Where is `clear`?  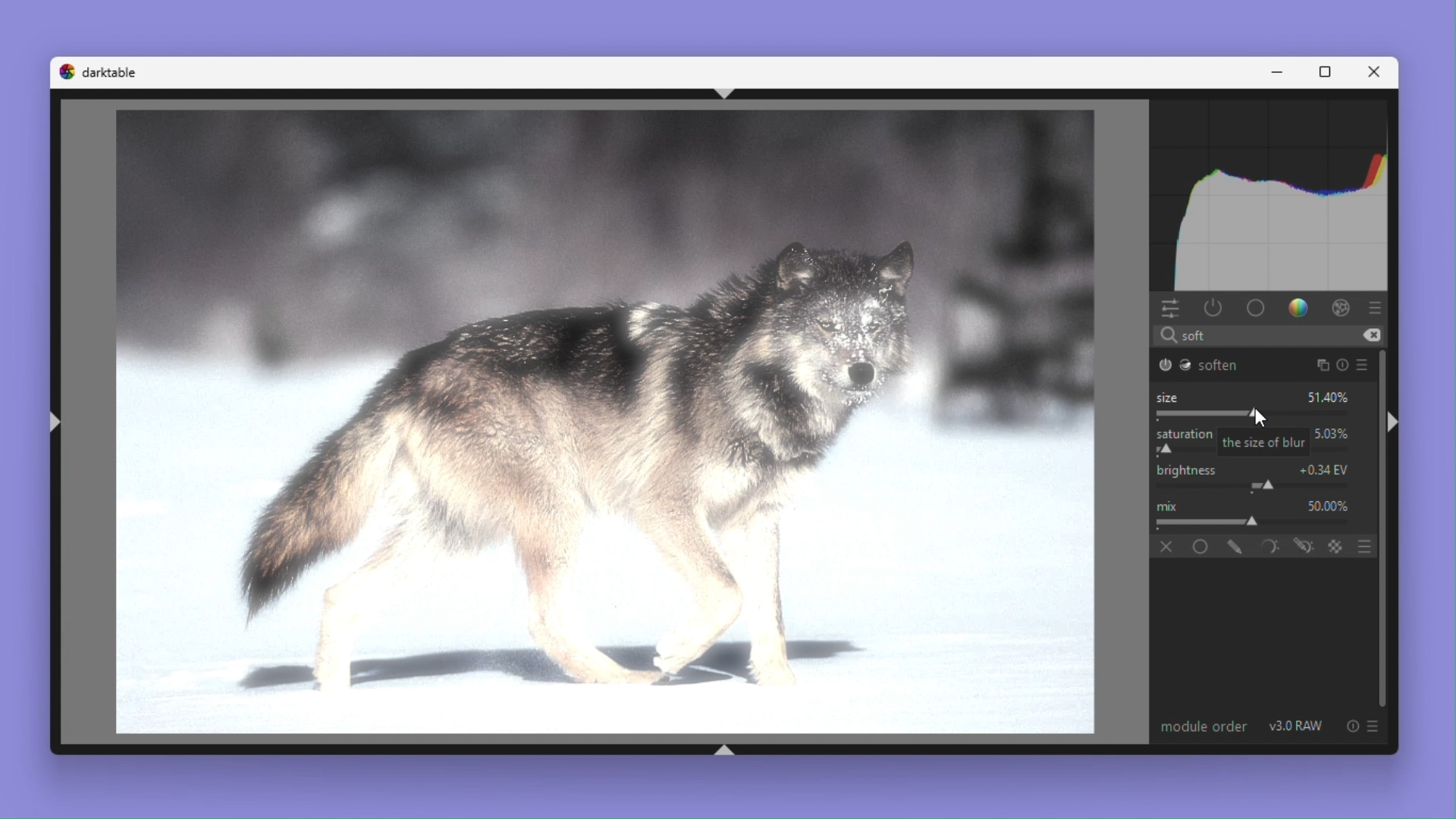 clear is located at coordinates (1372, 335).